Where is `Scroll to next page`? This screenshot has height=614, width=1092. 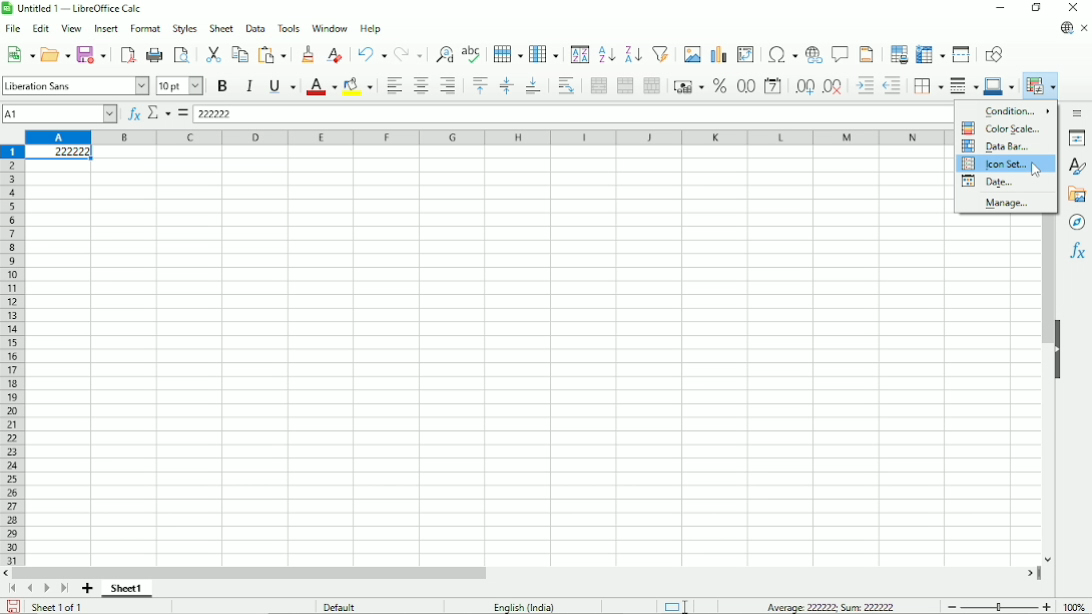 Scroll to next page is located at coordinates (47, 589).